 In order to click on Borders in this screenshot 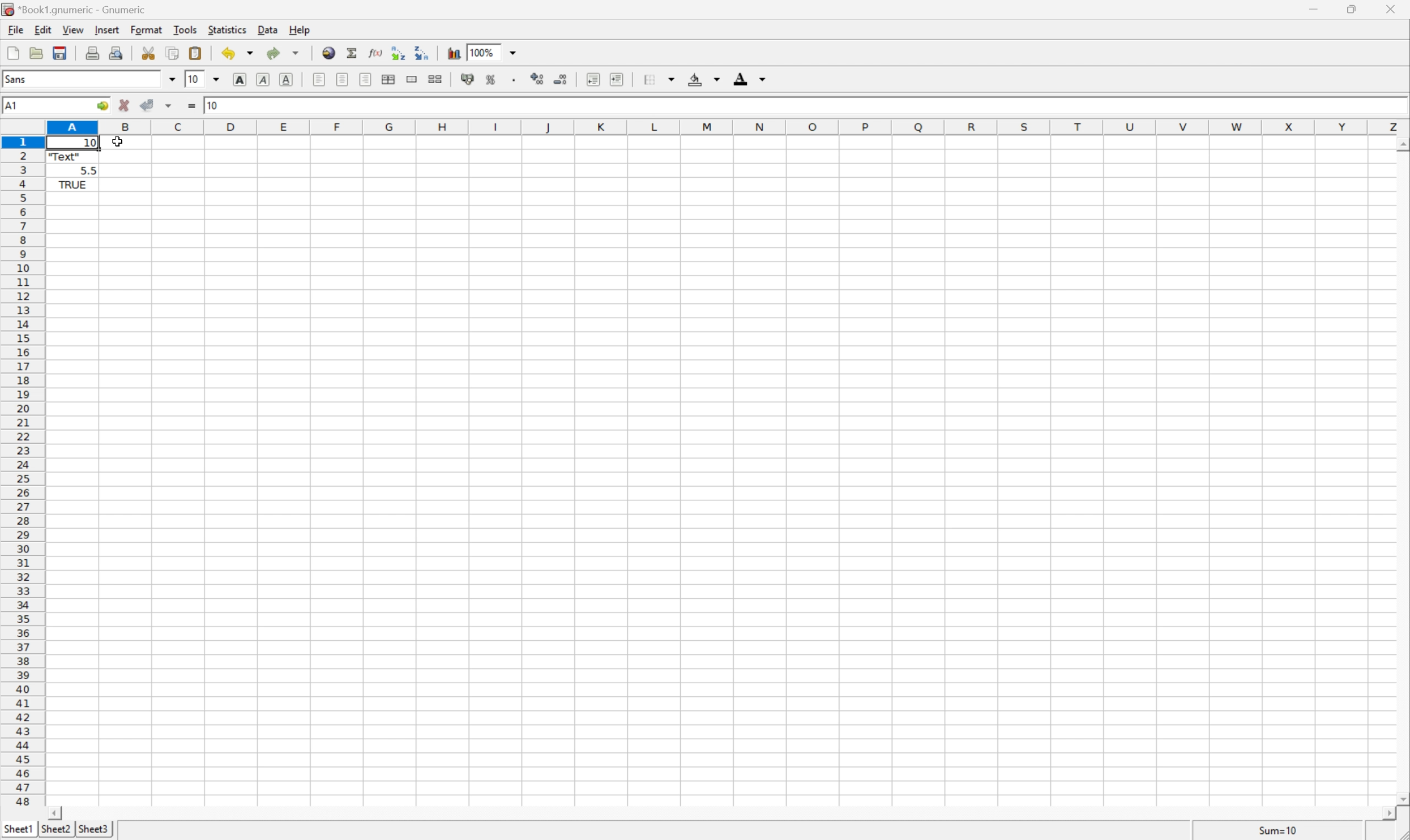, I will do `click(659, 79)`.